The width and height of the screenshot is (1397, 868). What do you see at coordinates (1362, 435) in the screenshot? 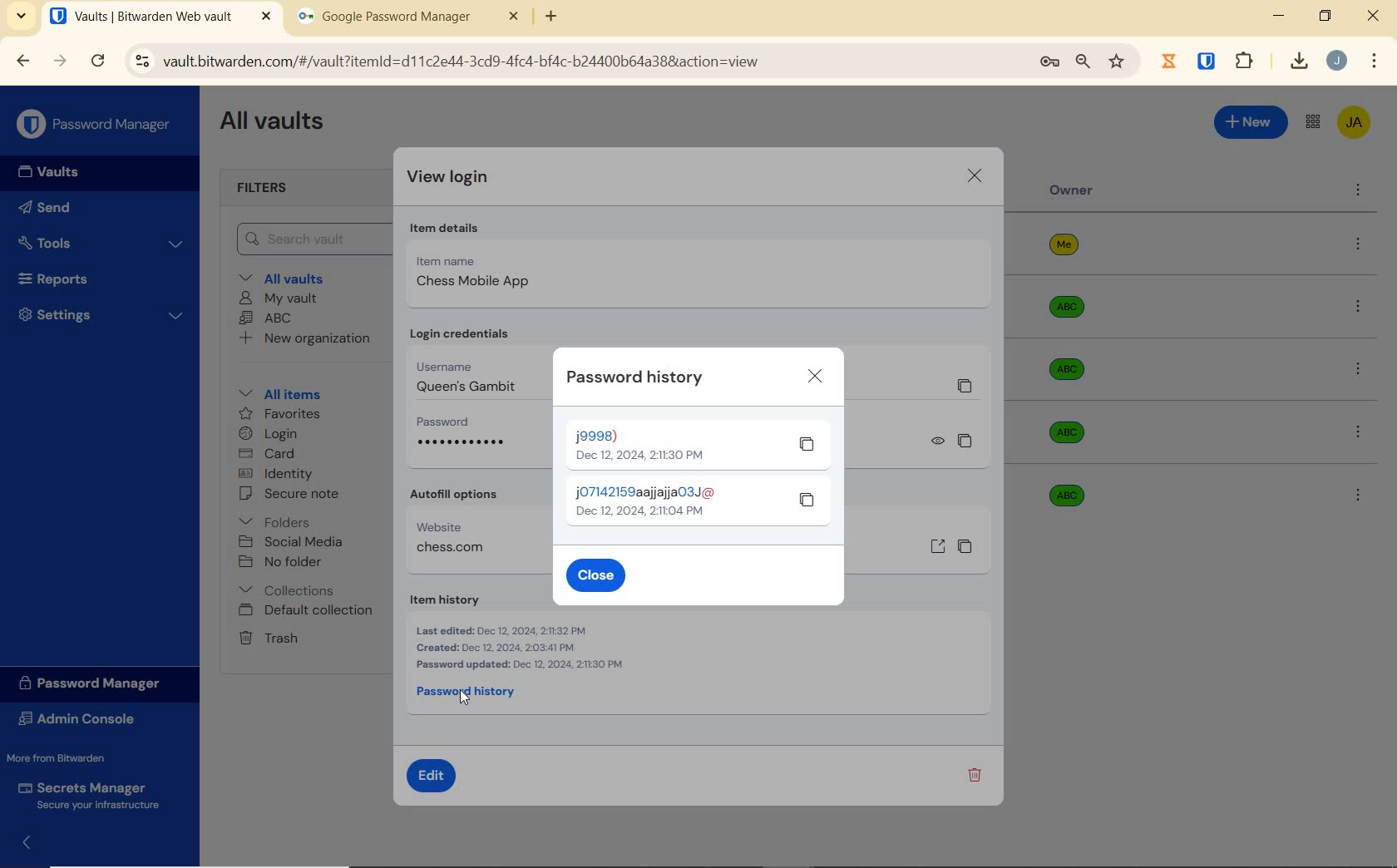
I see `more options` at bounding box center [1362, 435].